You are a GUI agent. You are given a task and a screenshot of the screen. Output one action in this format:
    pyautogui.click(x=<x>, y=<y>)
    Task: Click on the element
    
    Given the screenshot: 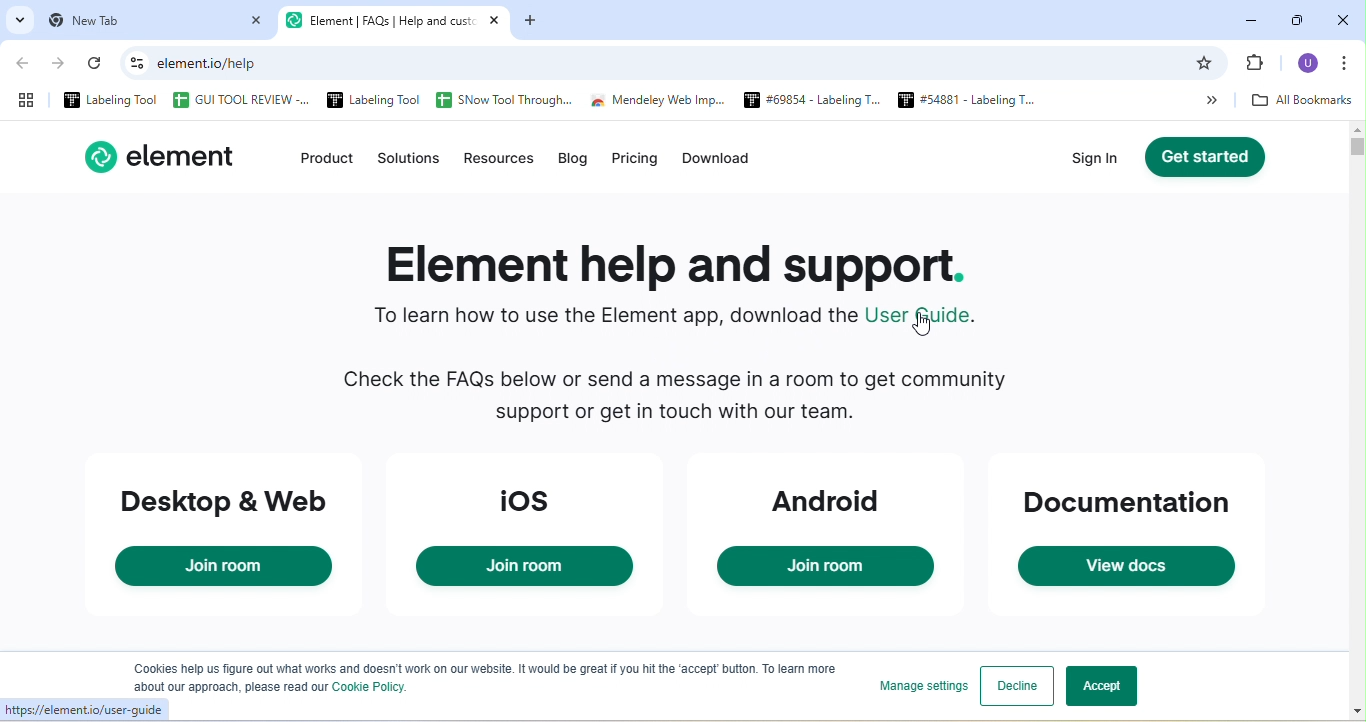 What is the action you would take?
    pyautogui.click(x=167, y=155)
    